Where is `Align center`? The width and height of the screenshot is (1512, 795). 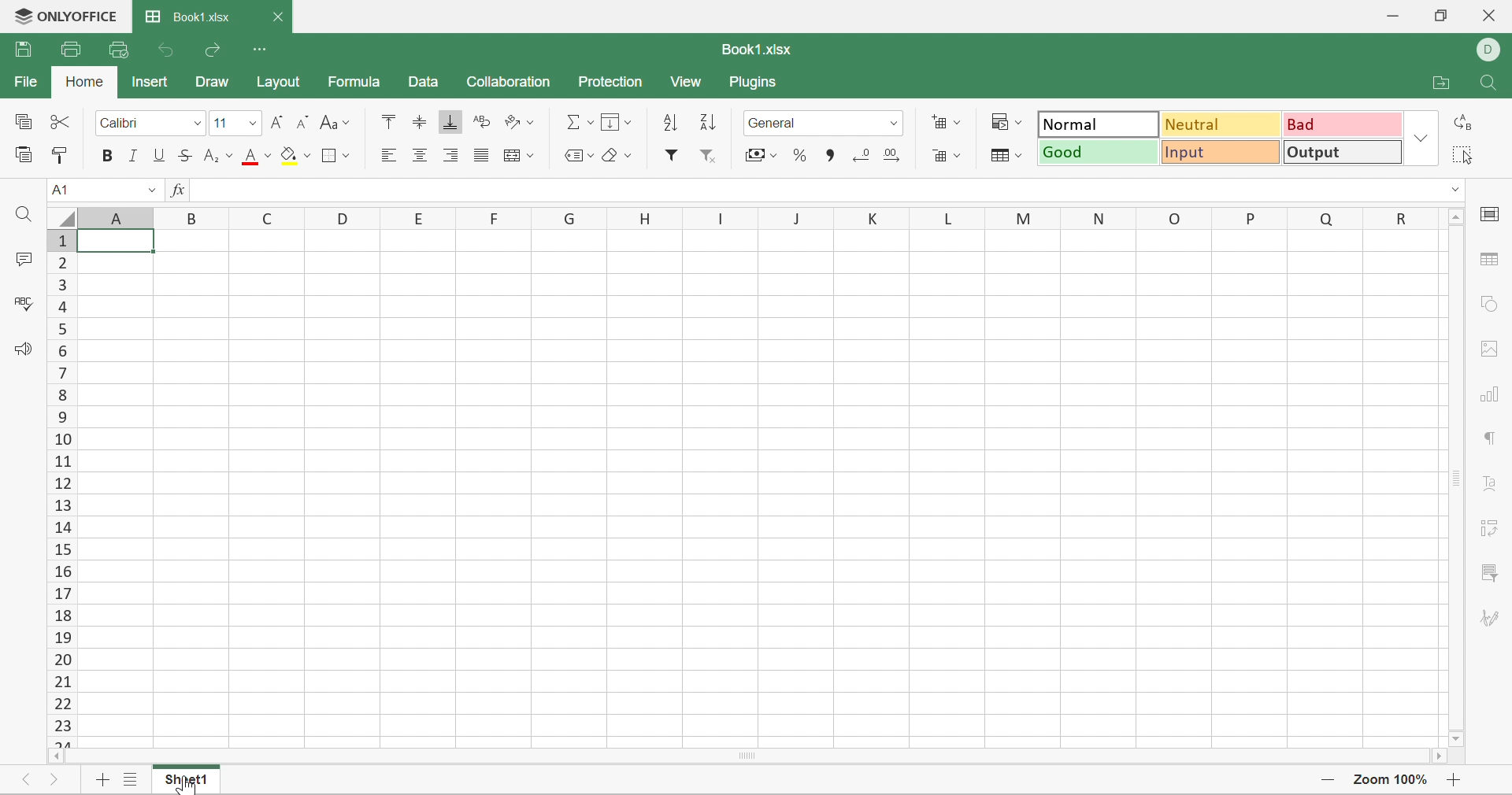
Align center is located at coordinates (420, 155).